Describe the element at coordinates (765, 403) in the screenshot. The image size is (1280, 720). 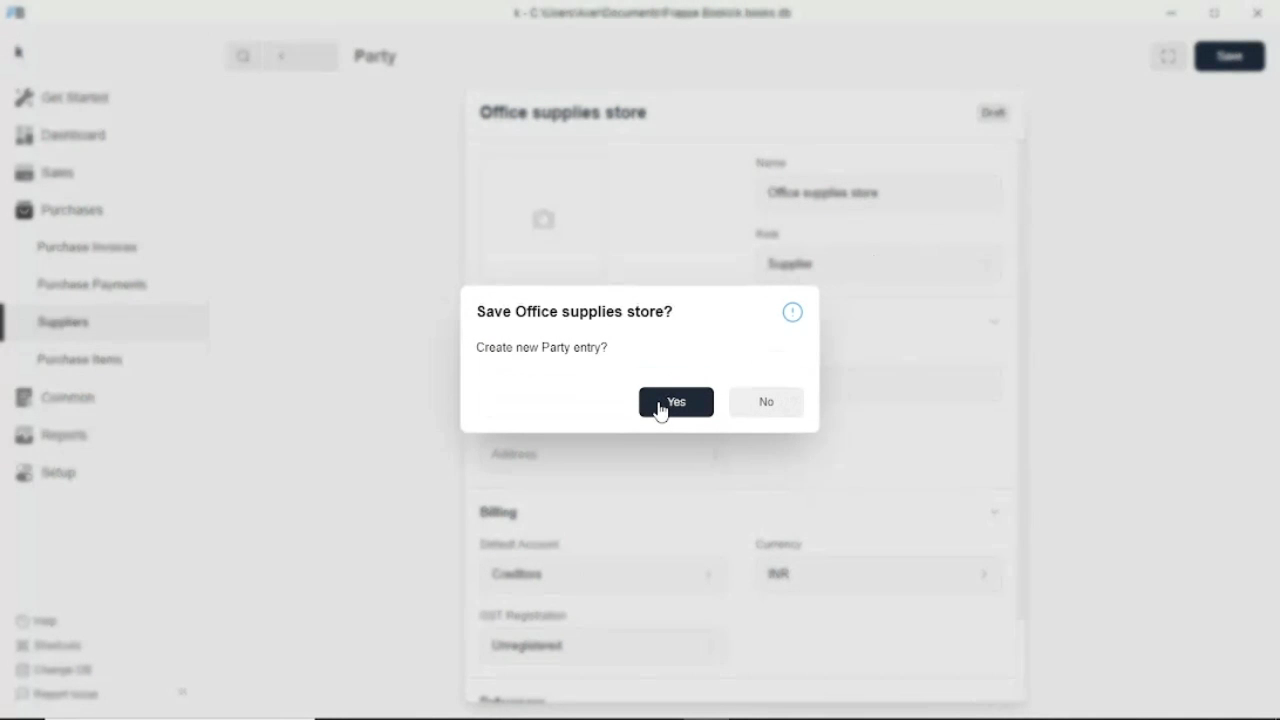
I see `No` at that location.